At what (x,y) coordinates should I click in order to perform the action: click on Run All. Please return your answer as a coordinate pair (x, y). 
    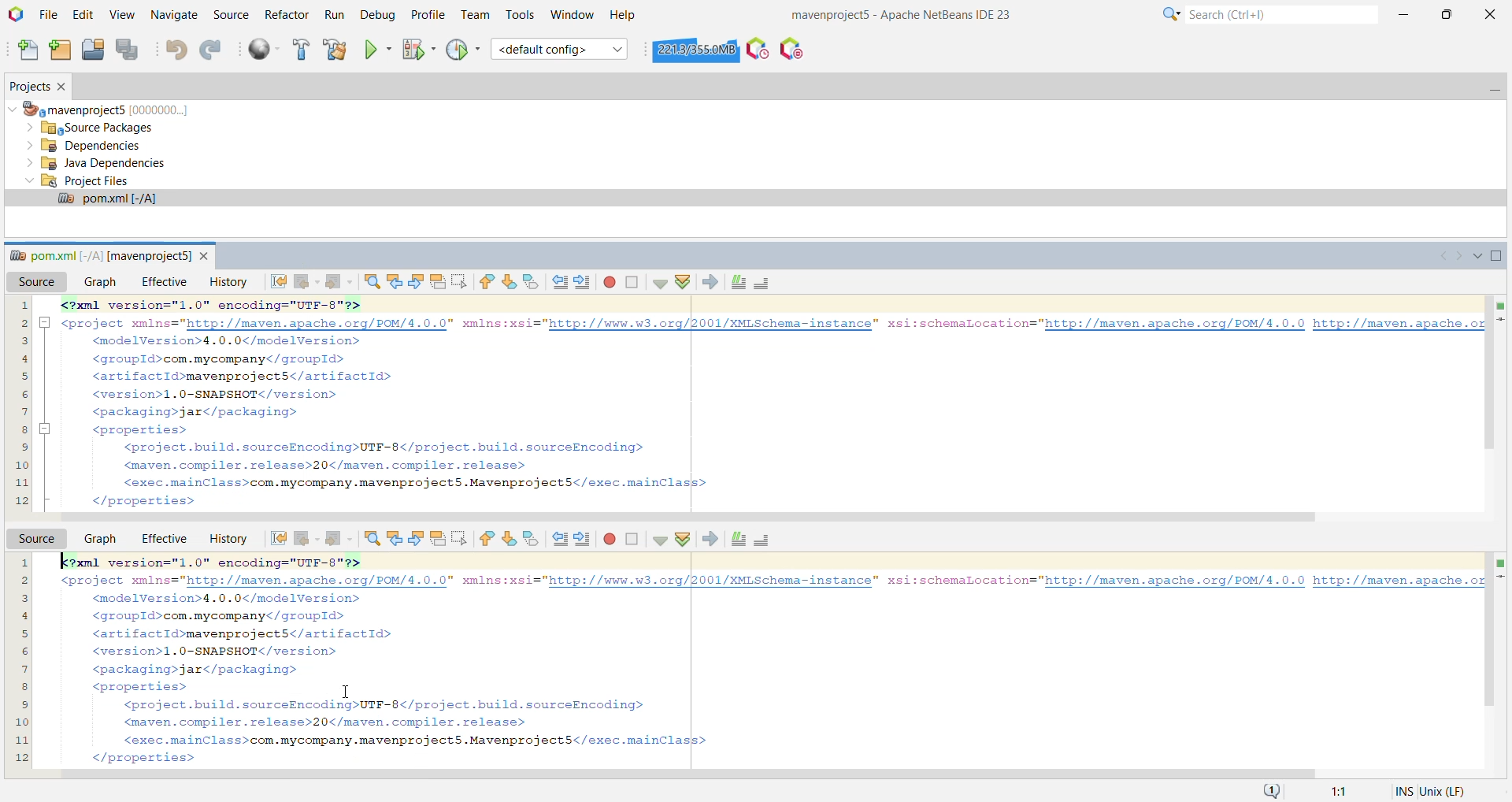
    Looking at the image, I should click on (265, 50).